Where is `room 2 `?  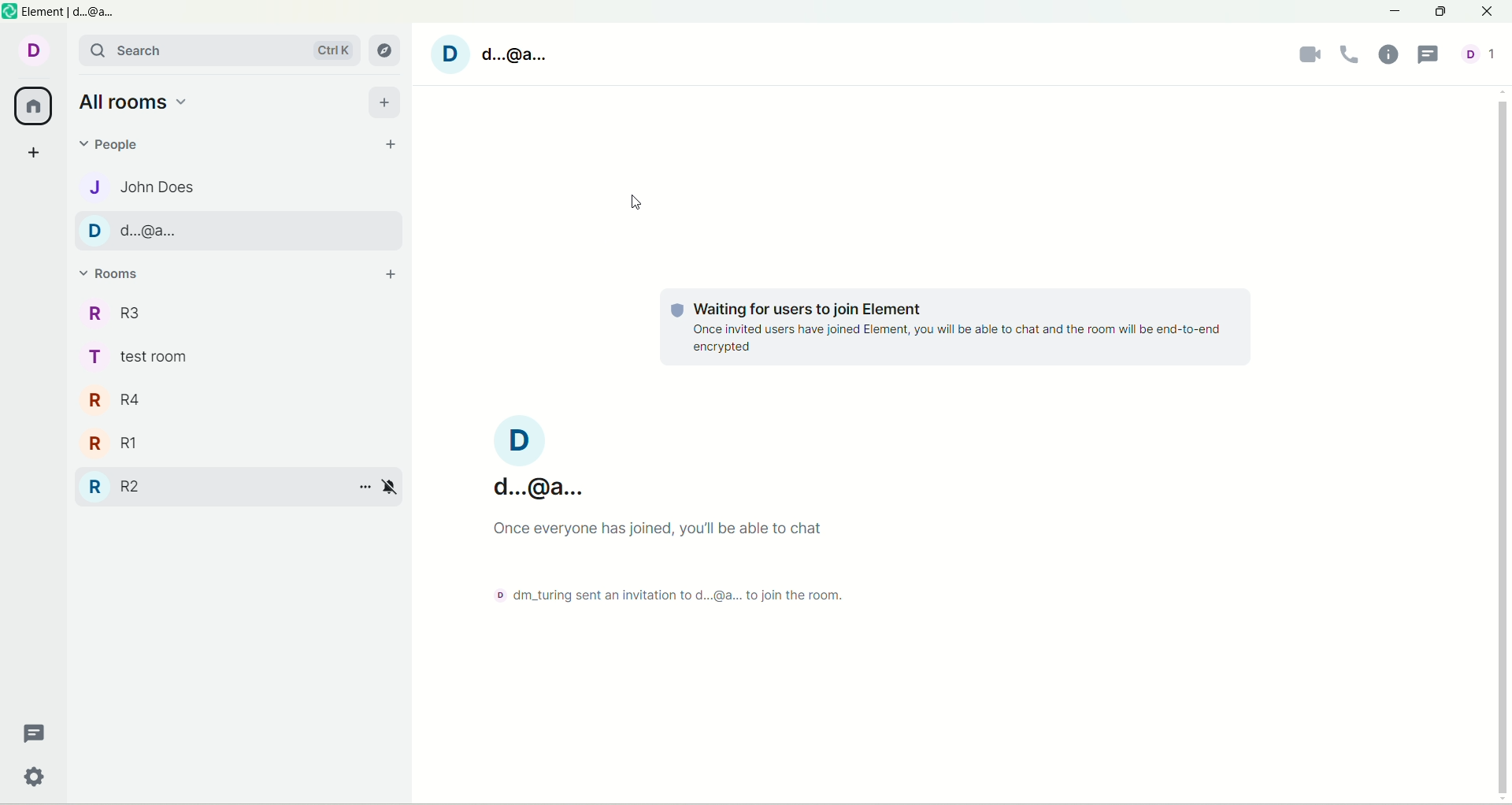 room 2  is located at coordinates (143, 442).